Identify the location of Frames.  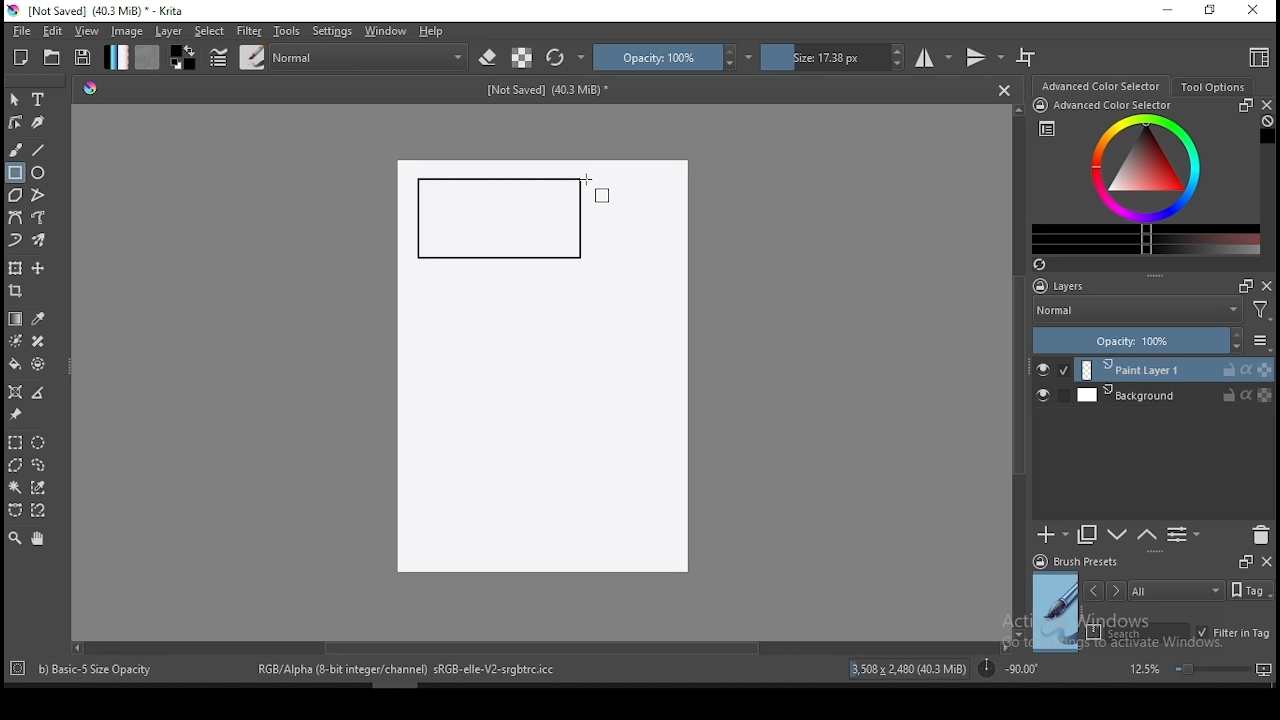
(1245, 561).